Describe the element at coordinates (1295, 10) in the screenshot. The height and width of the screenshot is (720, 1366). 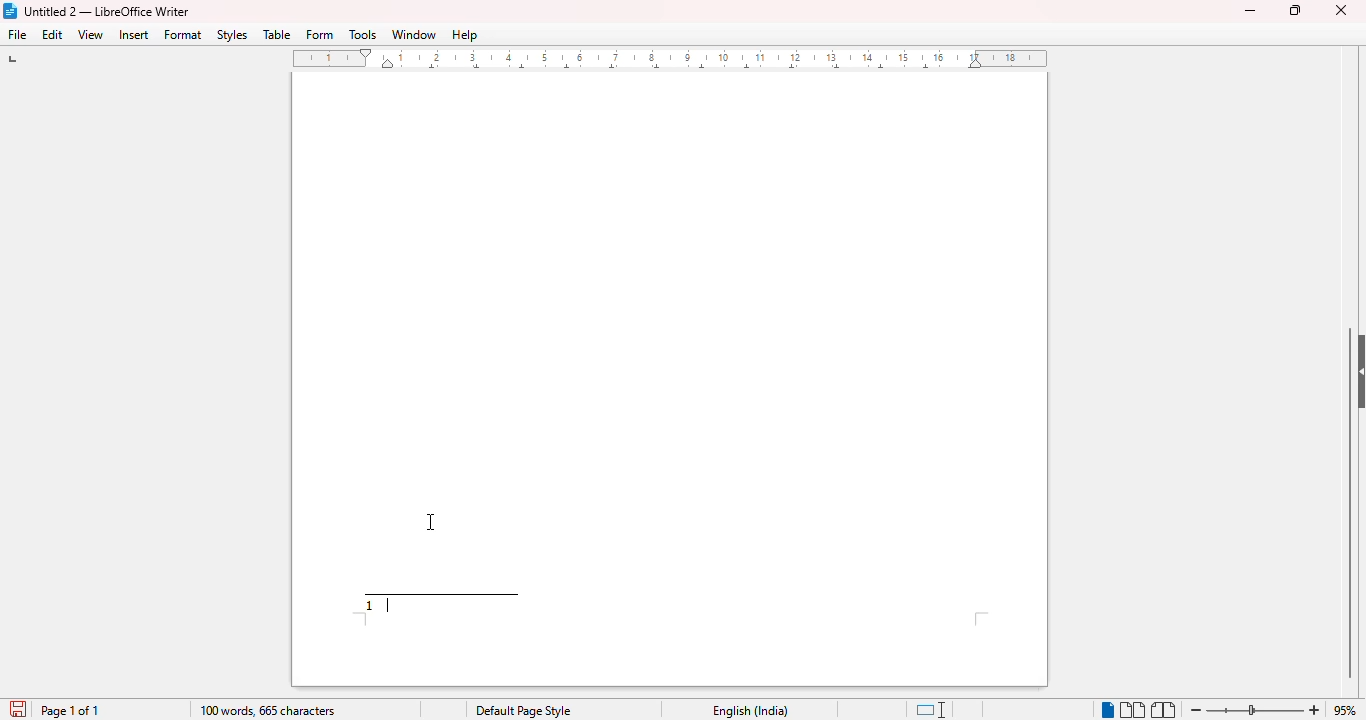
I see `maximize` at that location.